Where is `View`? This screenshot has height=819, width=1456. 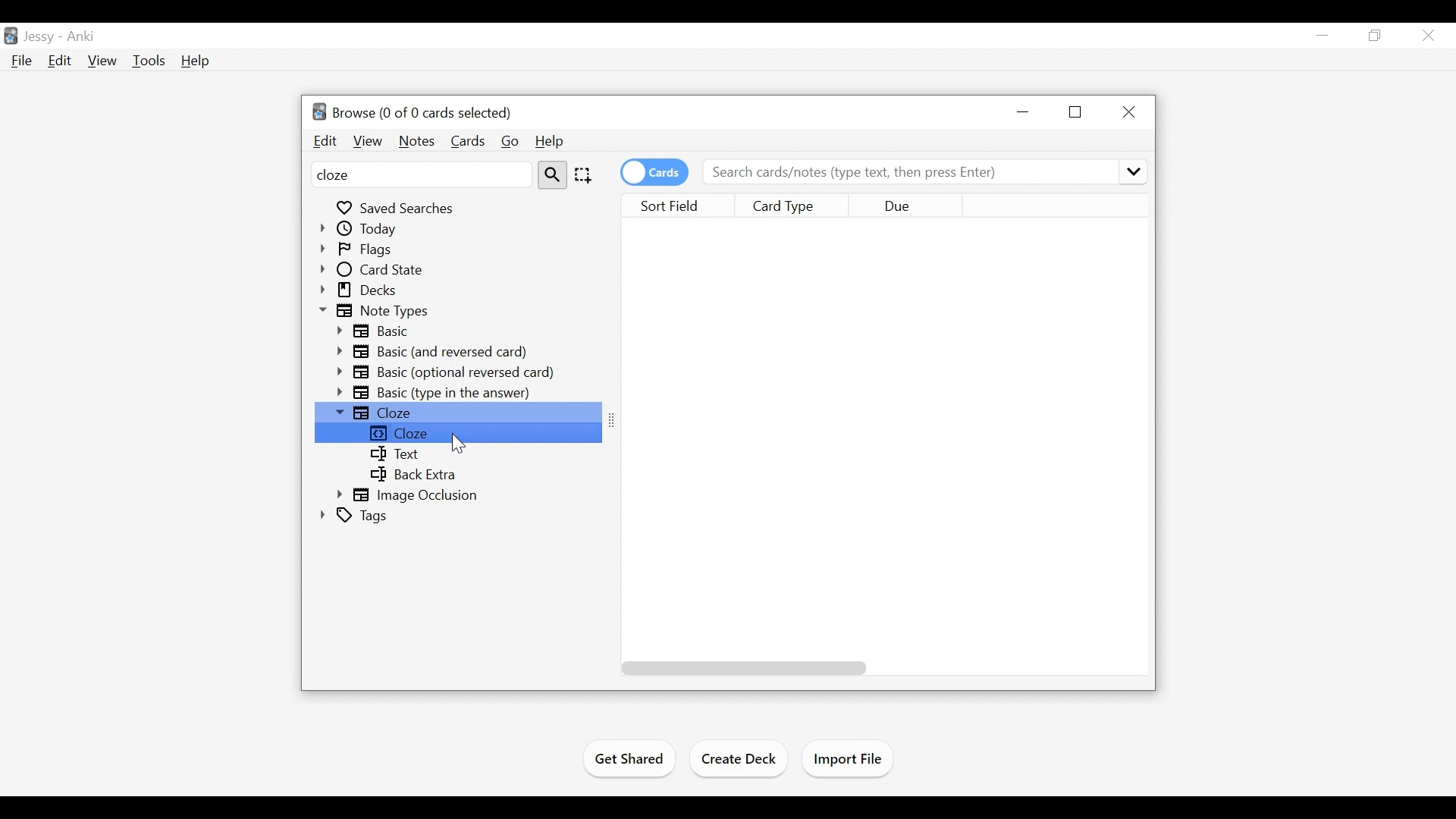 View is located at coordinates (367, 141).